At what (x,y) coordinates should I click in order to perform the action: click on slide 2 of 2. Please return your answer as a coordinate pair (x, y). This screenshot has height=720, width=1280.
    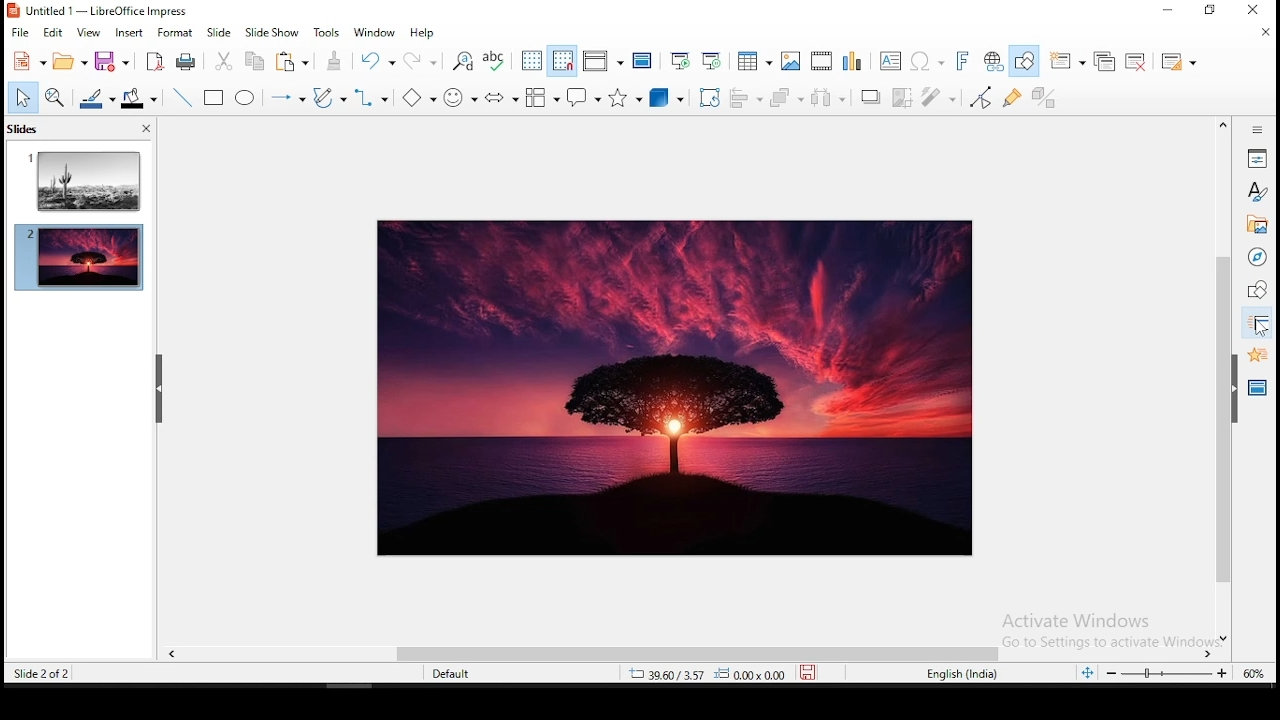
    Looking at the image, I should click on (46, 676).